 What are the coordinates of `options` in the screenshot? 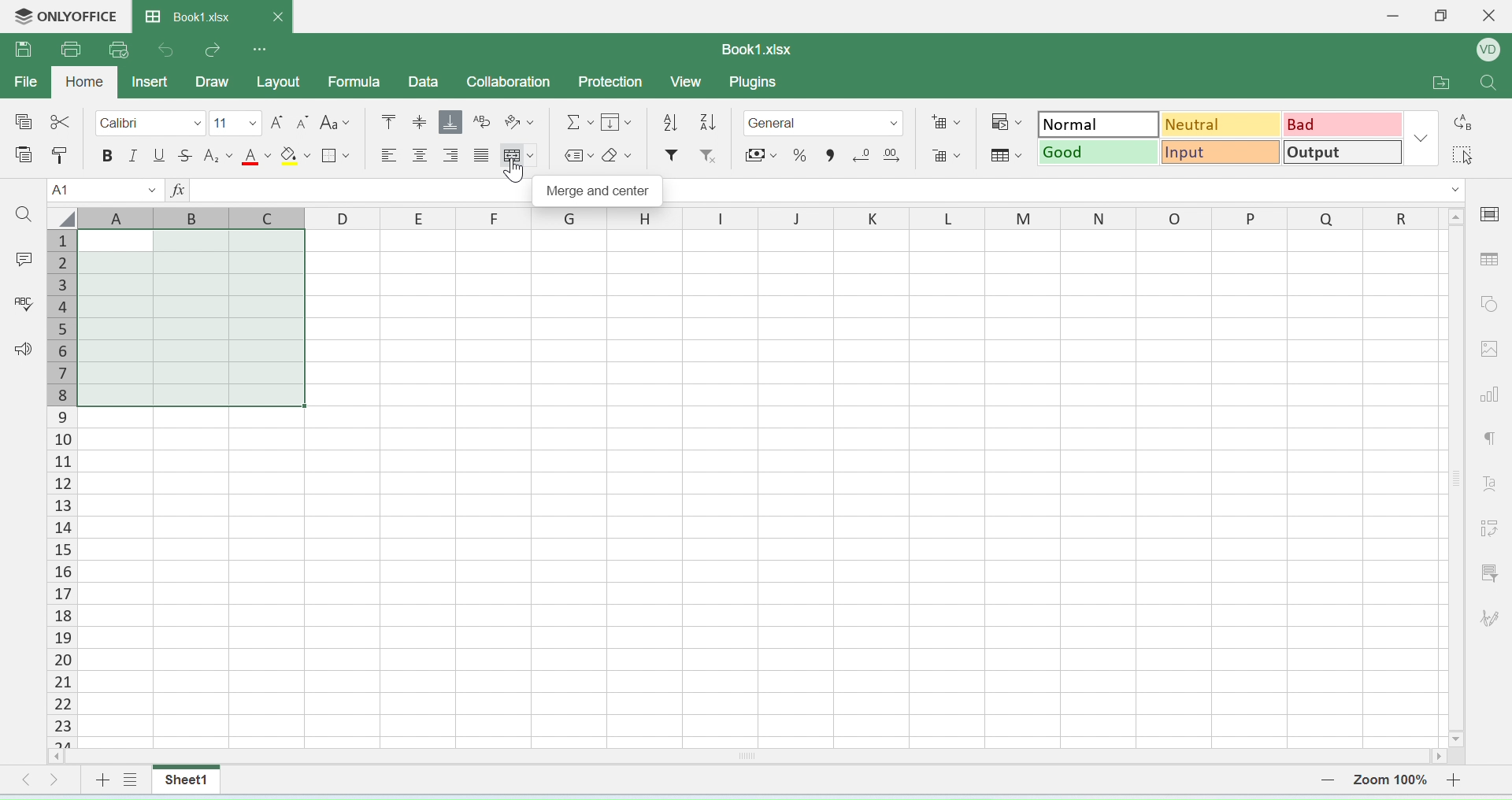 It's located at (258, 47).